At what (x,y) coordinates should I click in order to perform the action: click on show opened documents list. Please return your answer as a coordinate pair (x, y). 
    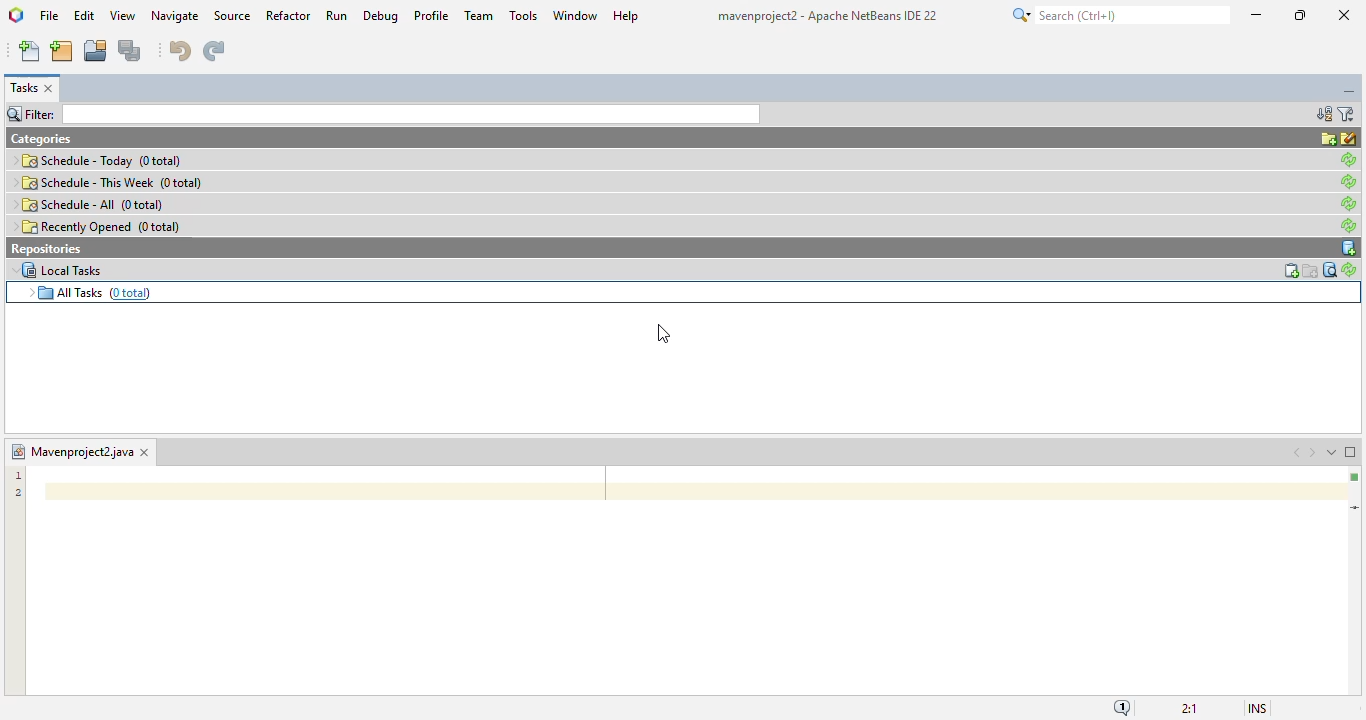
    Looking at the image, I should click on (1330, 452).